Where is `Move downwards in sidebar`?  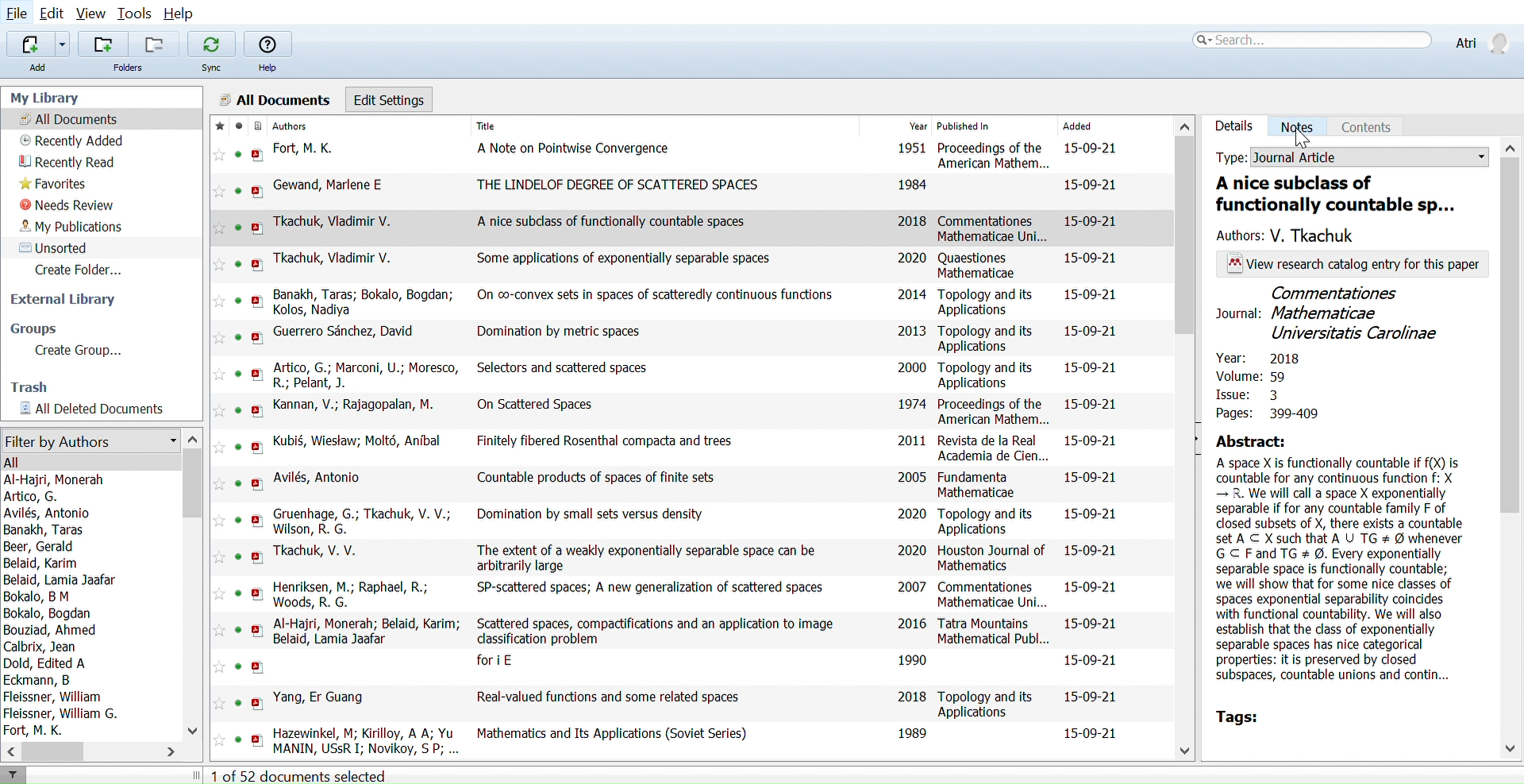
Move downwards in sidebar is located at coordinates (1509, 336).